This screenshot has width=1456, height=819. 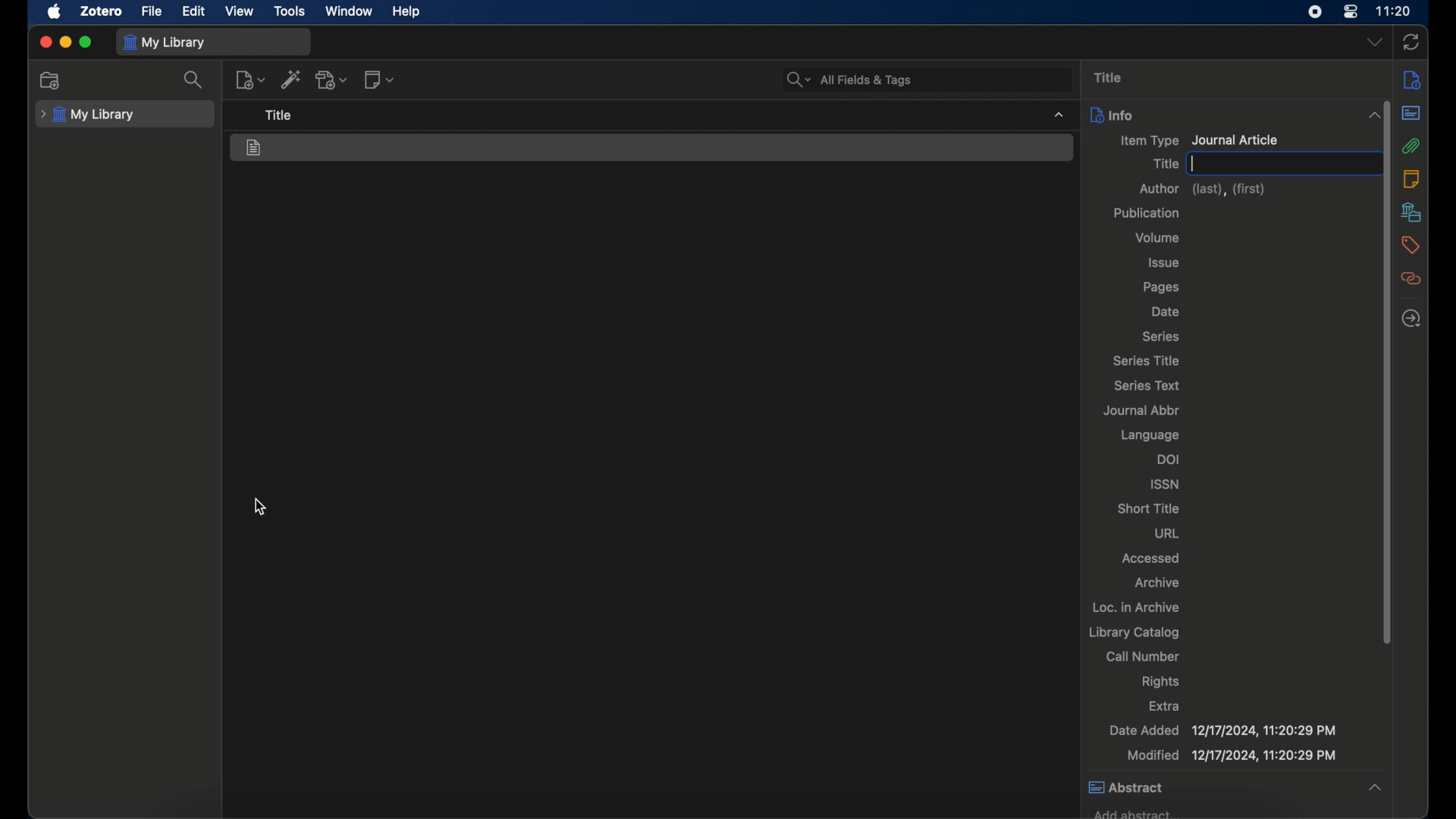 What do you see at coordinates (1411, 112) in the screenshot?
I see `abstract` at bounding box center [1411, 112].